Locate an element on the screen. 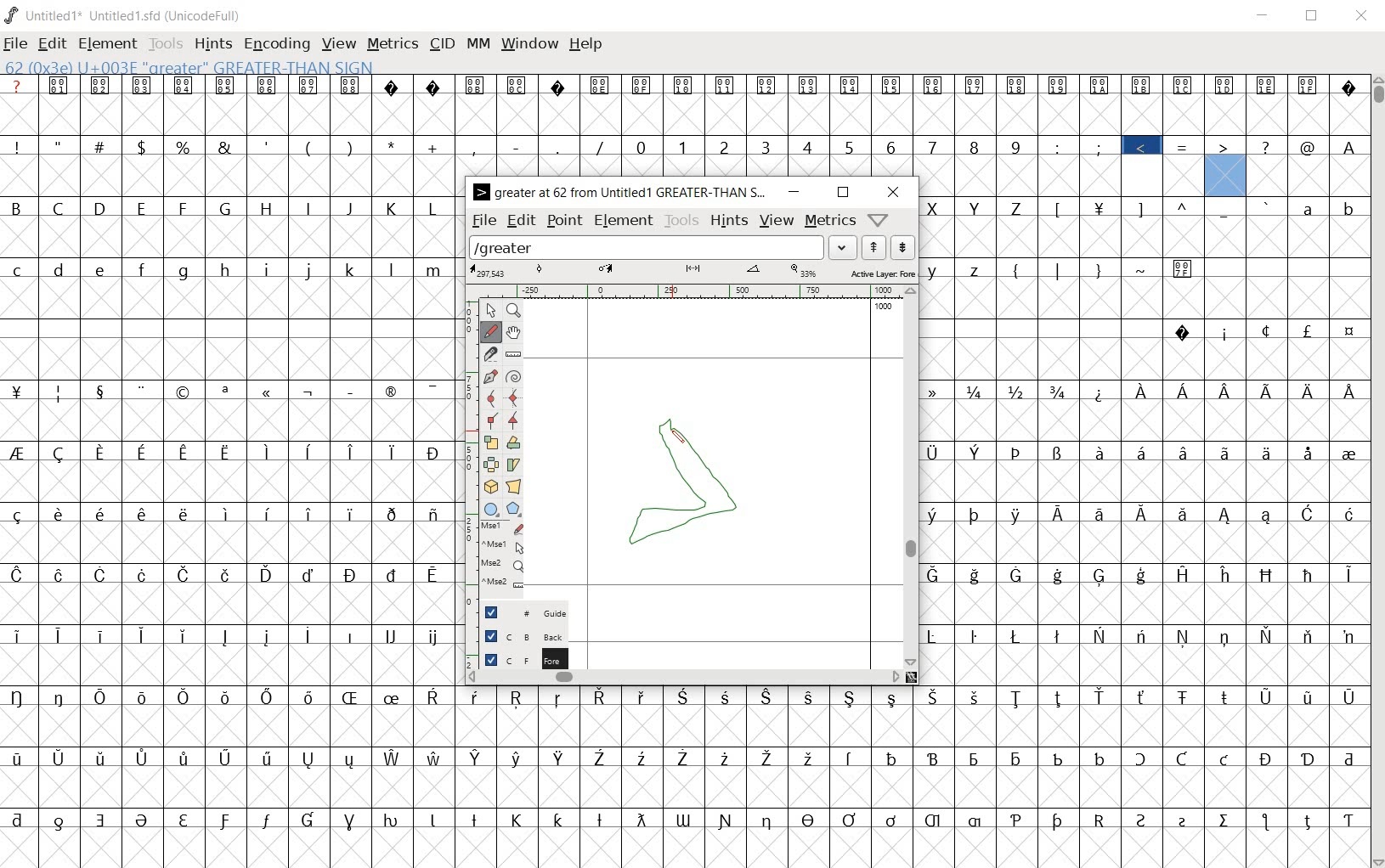 The height and width of the screenshot is (868, 1385). > GREATER AT 62 FROM UNTITLED is located at coordinates (619, 192).